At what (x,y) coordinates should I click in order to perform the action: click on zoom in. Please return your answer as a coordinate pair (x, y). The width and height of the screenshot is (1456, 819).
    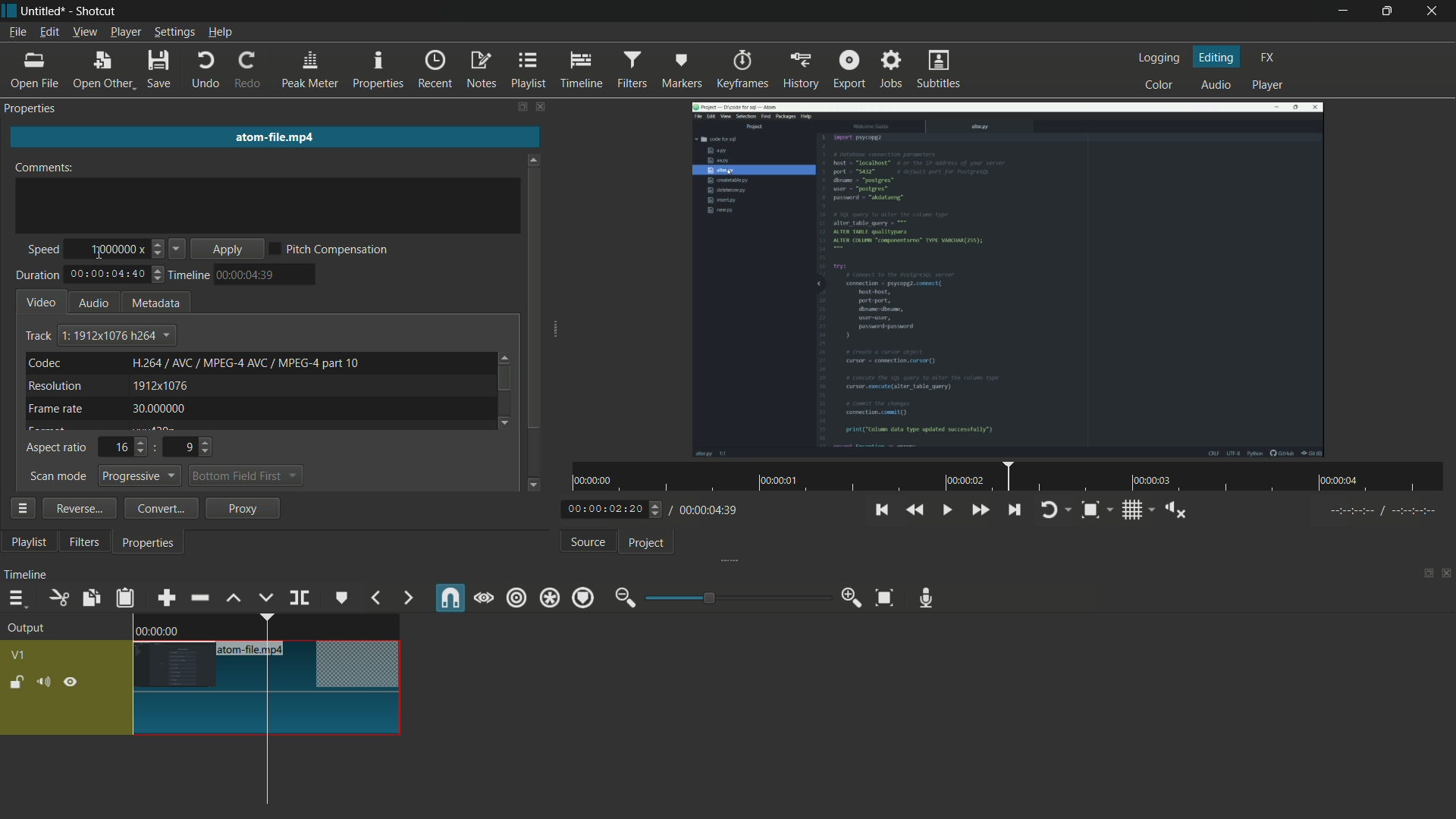
    Looking at the image, I should click on (853, 597).